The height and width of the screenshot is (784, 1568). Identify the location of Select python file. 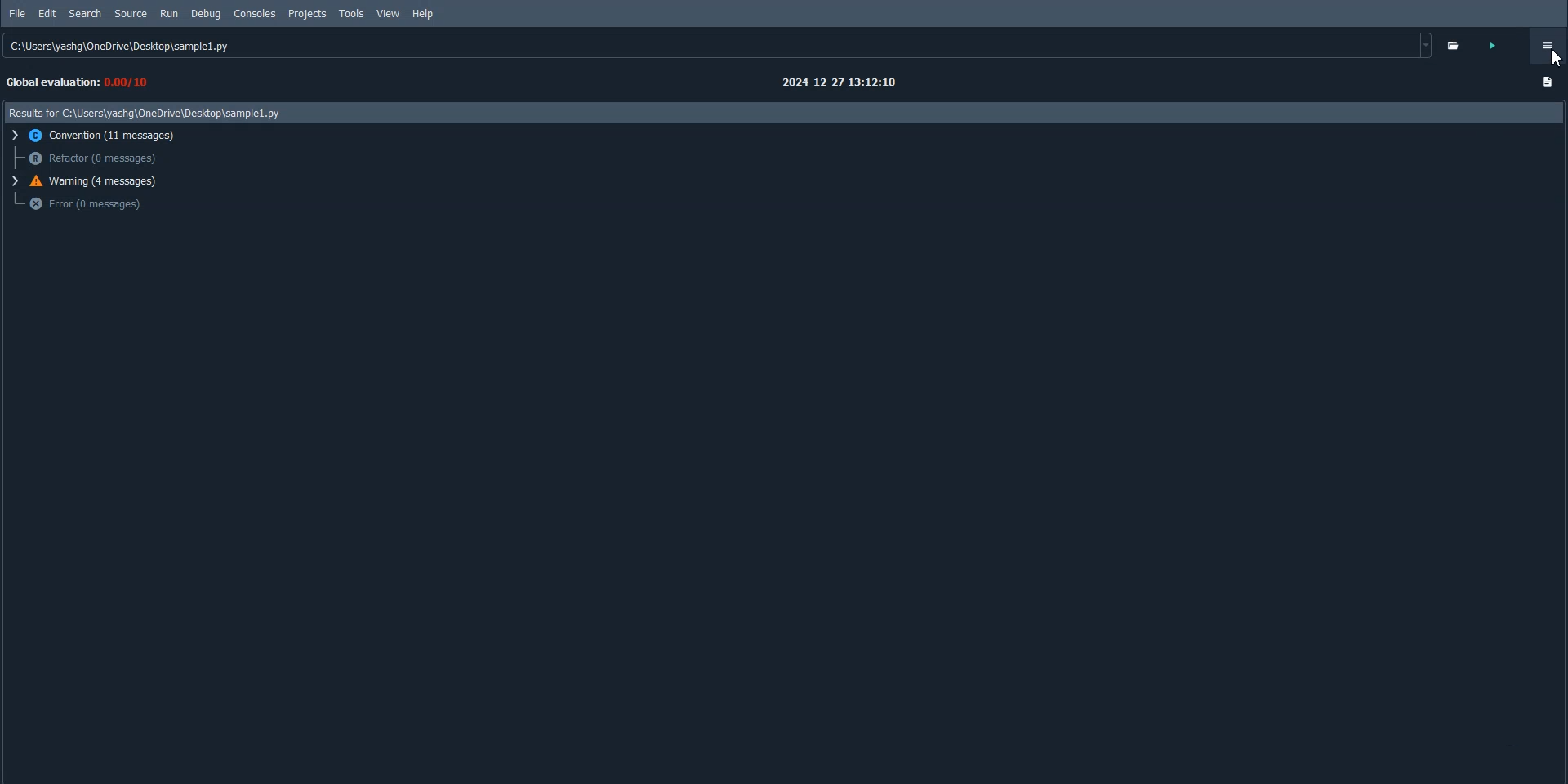
(1459, 45).